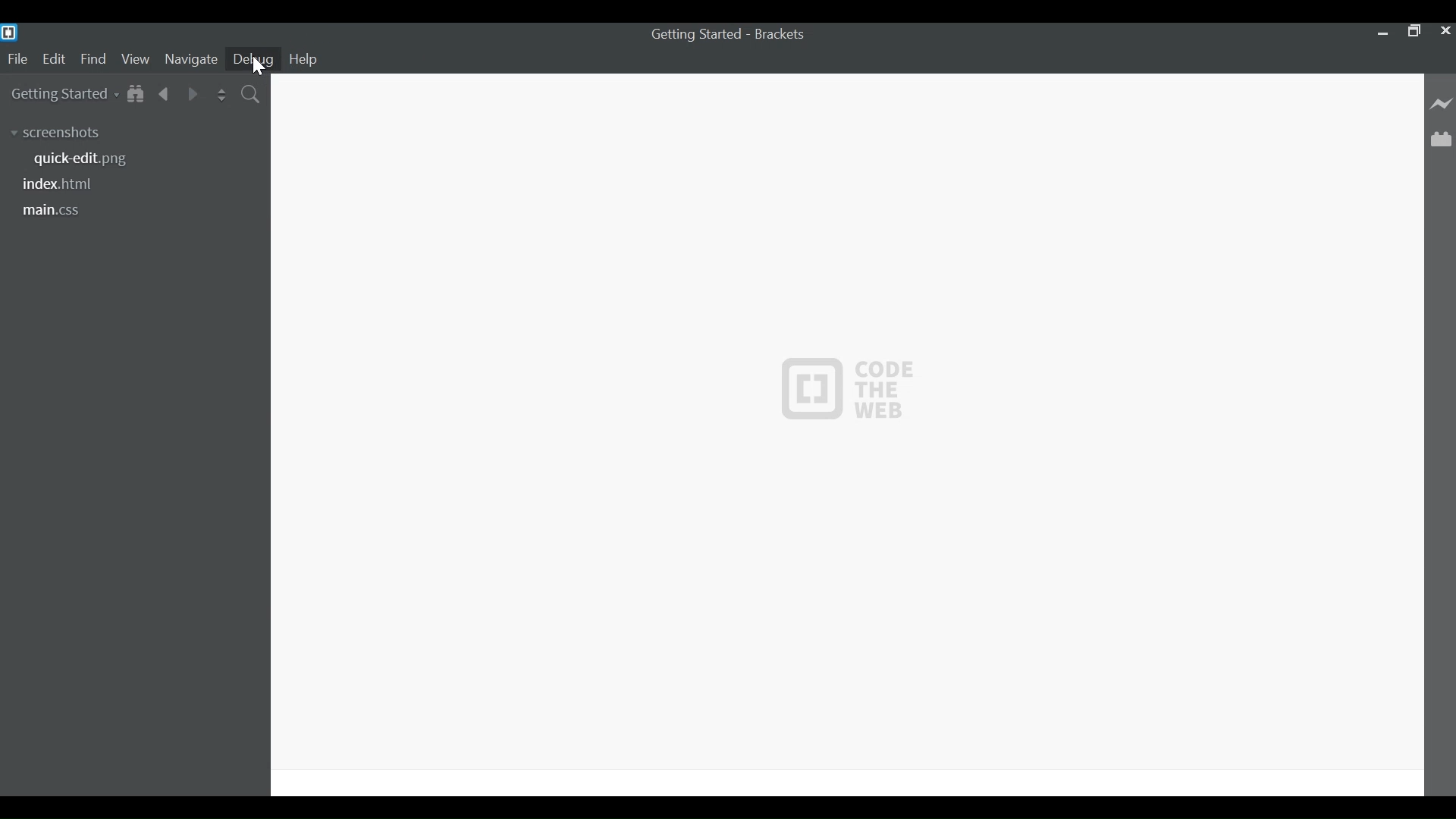 The width and height of the screenshot is (1456, 819). I want to click on Code The Web, so click(841, 400).